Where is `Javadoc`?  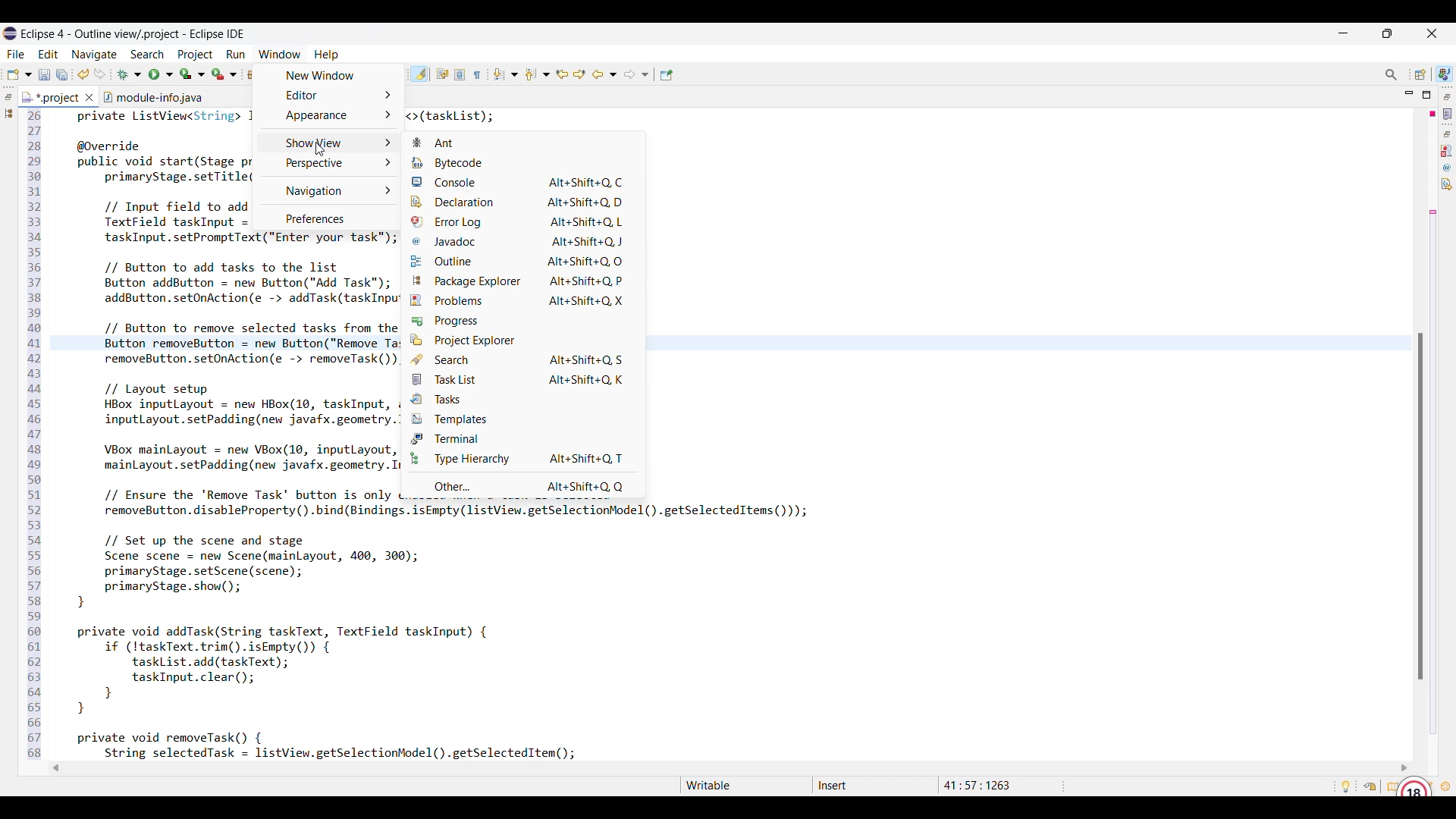 Javadoc is located at coordinates (522, 242).